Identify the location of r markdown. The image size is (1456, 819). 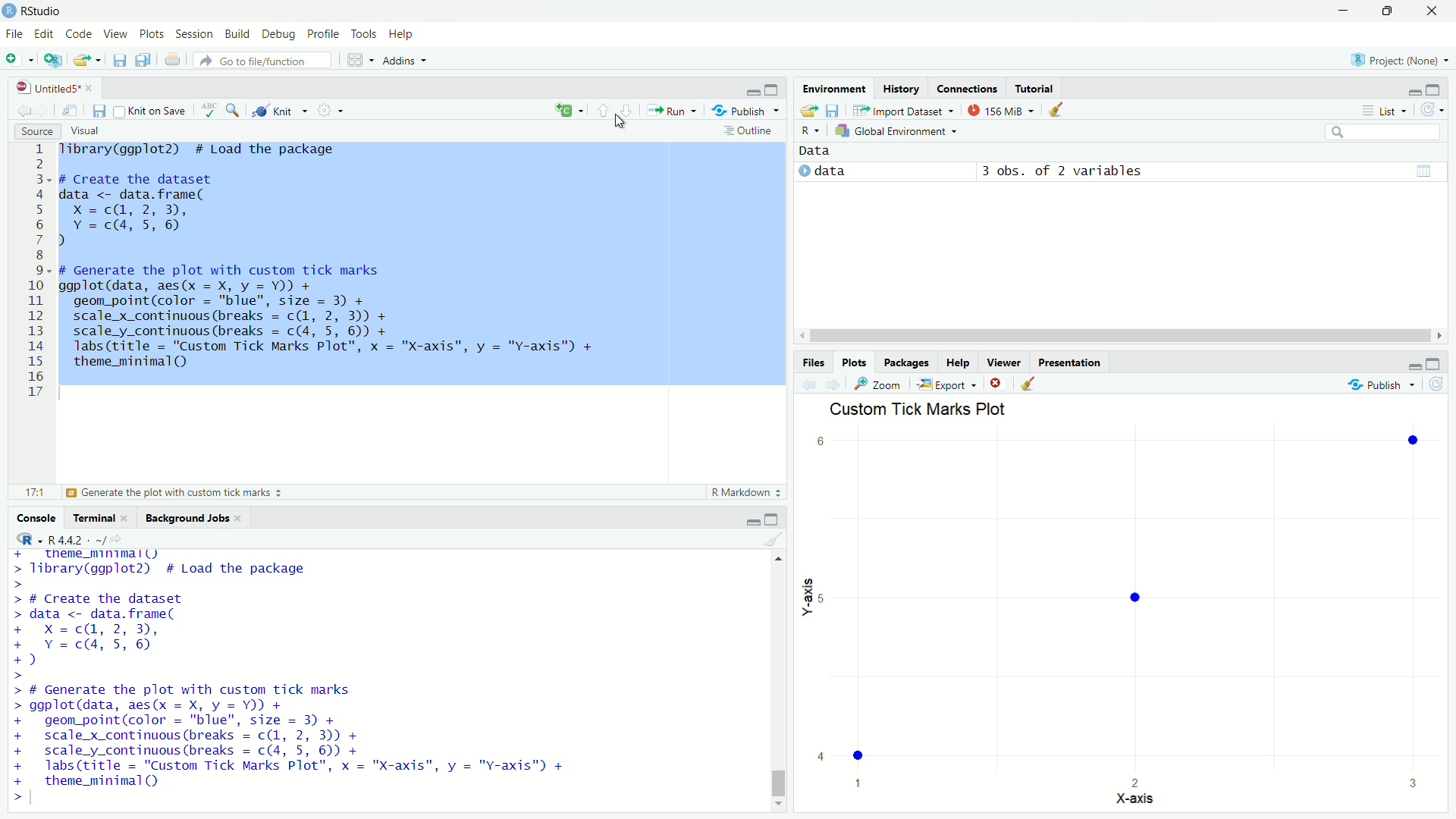
(742, 491).